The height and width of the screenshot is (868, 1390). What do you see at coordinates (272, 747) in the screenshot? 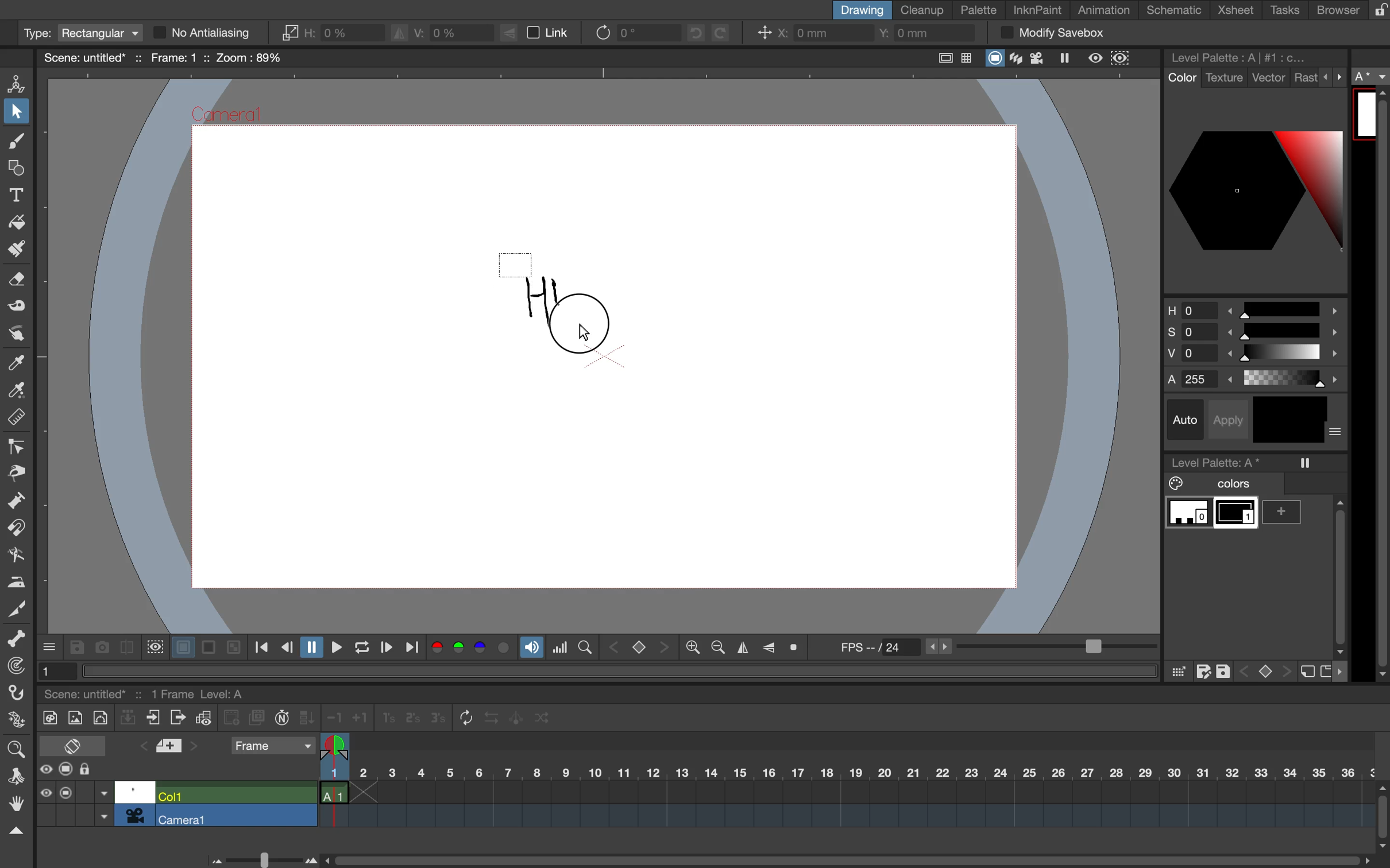
I see `frame` at bounding box center [272, 747].